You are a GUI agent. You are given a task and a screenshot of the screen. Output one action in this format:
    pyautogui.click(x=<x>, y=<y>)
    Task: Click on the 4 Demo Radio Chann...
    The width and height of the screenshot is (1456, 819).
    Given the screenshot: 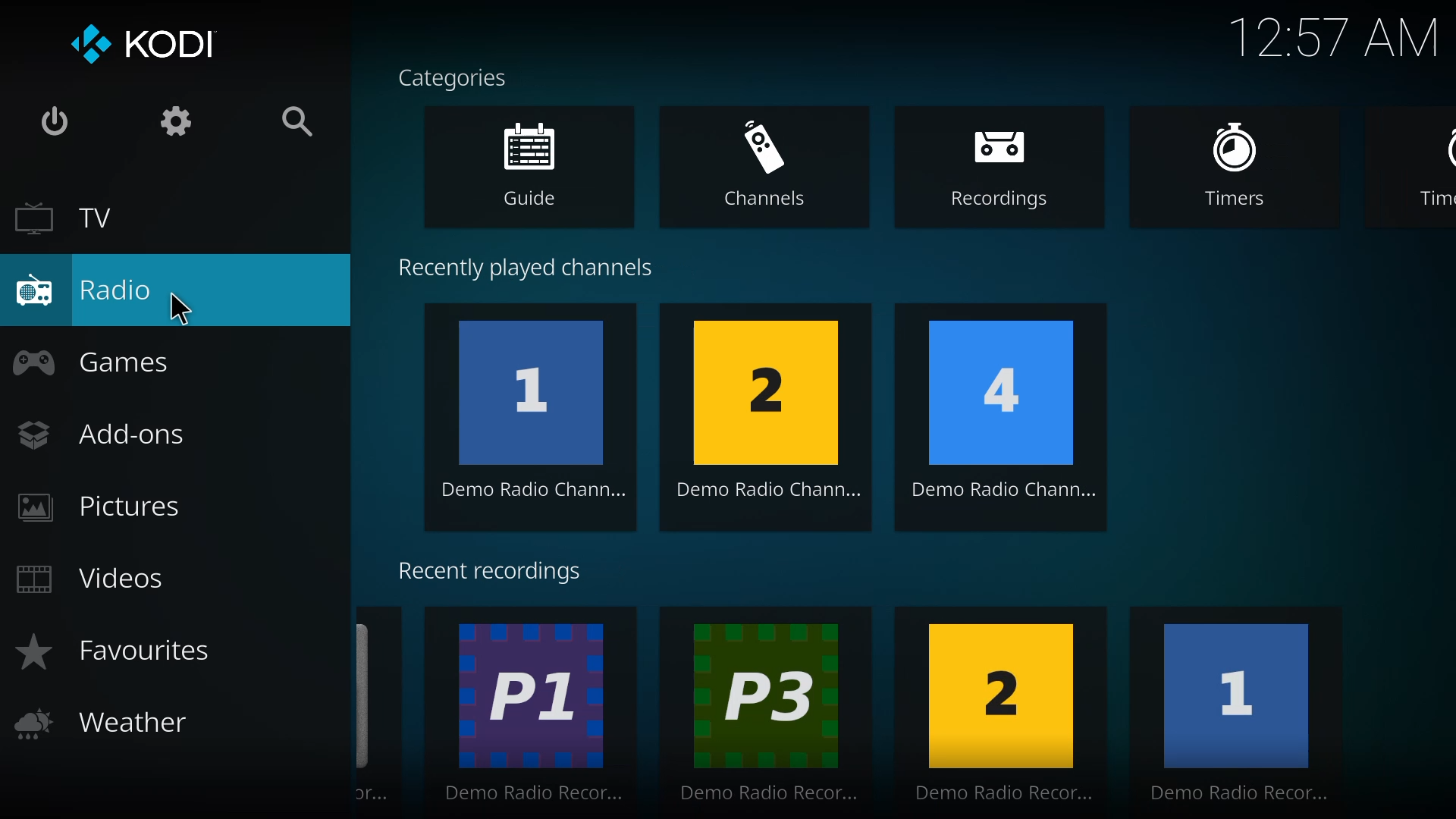 What is the action you would take?
    pyautogui.click(x=1003, y=419)
    